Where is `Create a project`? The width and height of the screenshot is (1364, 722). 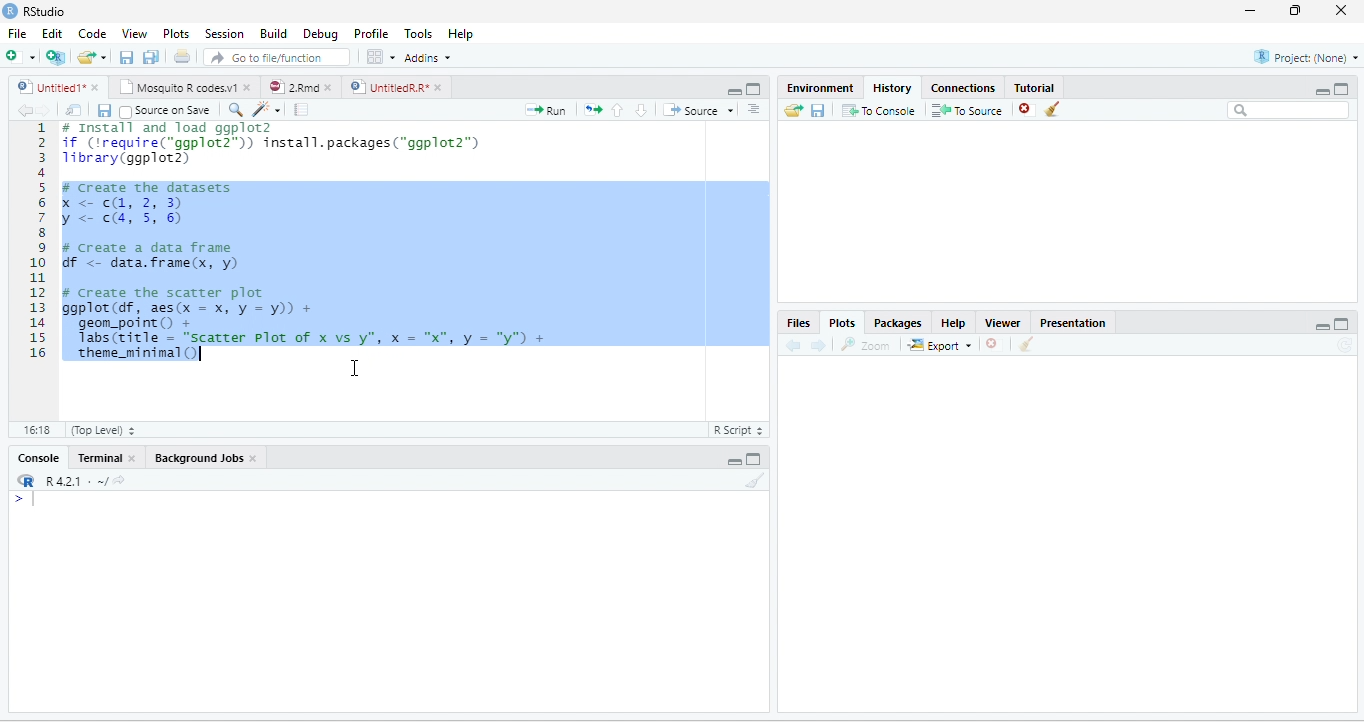 Create a project is located at coordinates (57, 55).